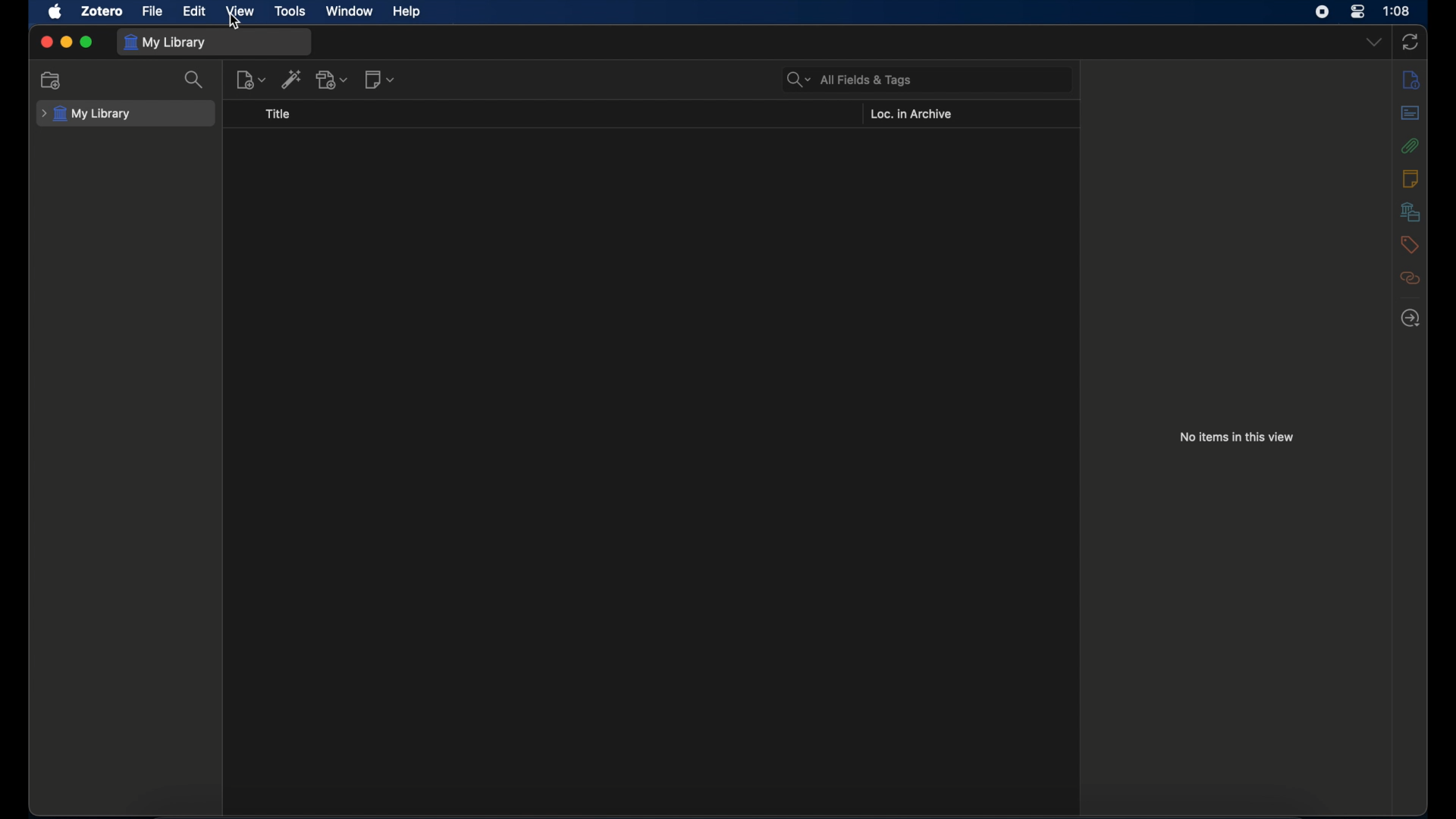  I want to click on new collection, so click(51, 80).